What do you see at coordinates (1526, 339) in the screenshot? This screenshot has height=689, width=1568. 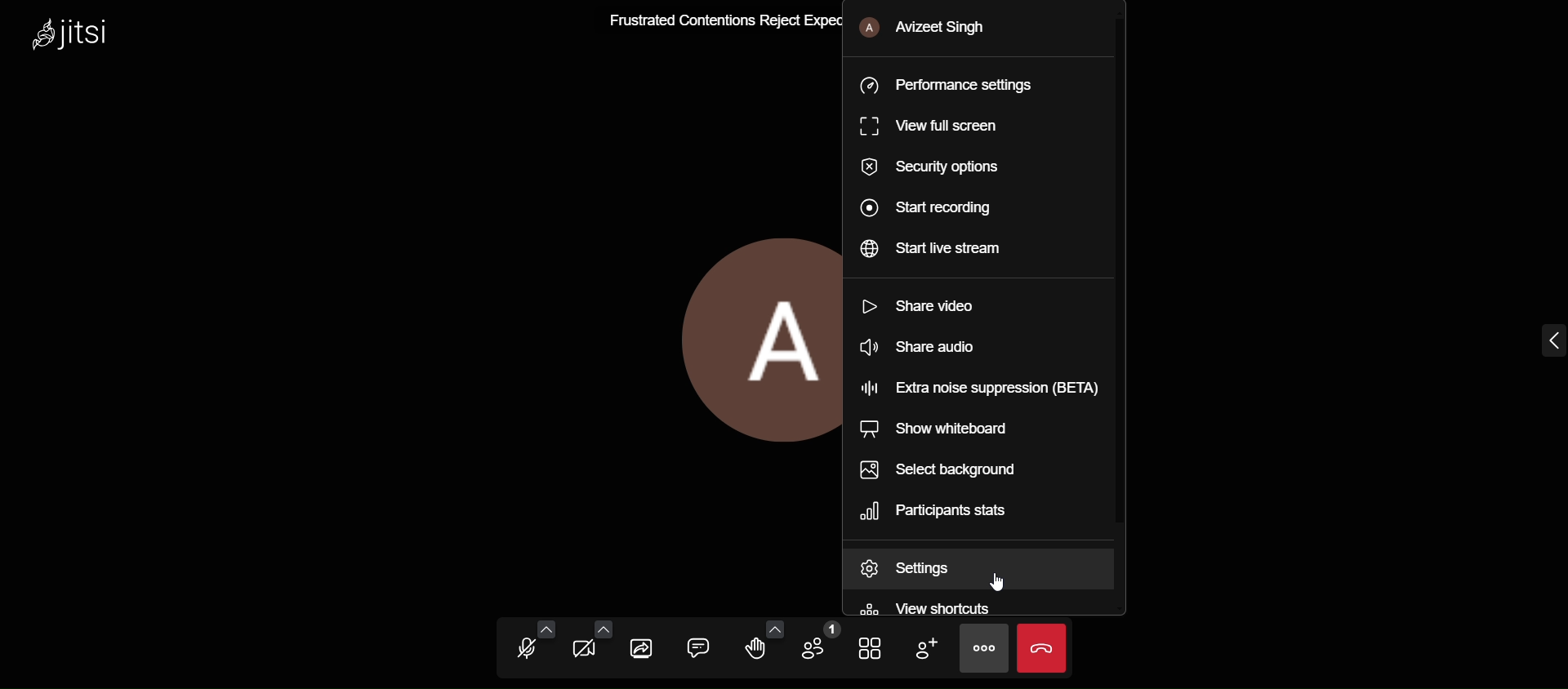 I see `Expand` at bounding box center [1526, 339].